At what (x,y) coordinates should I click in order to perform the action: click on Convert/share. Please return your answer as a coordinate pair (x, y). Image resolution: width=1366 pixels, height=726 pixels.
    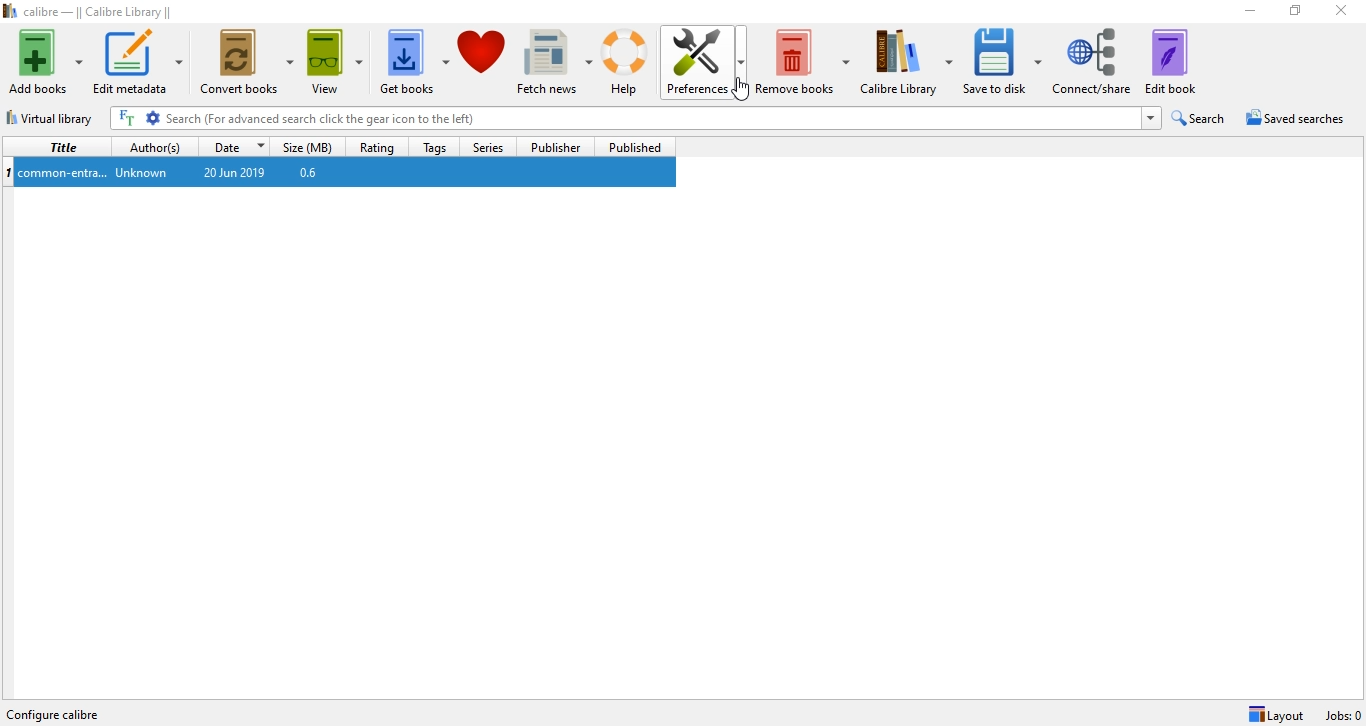
    Looking at the image, I should click on (1095, 59).